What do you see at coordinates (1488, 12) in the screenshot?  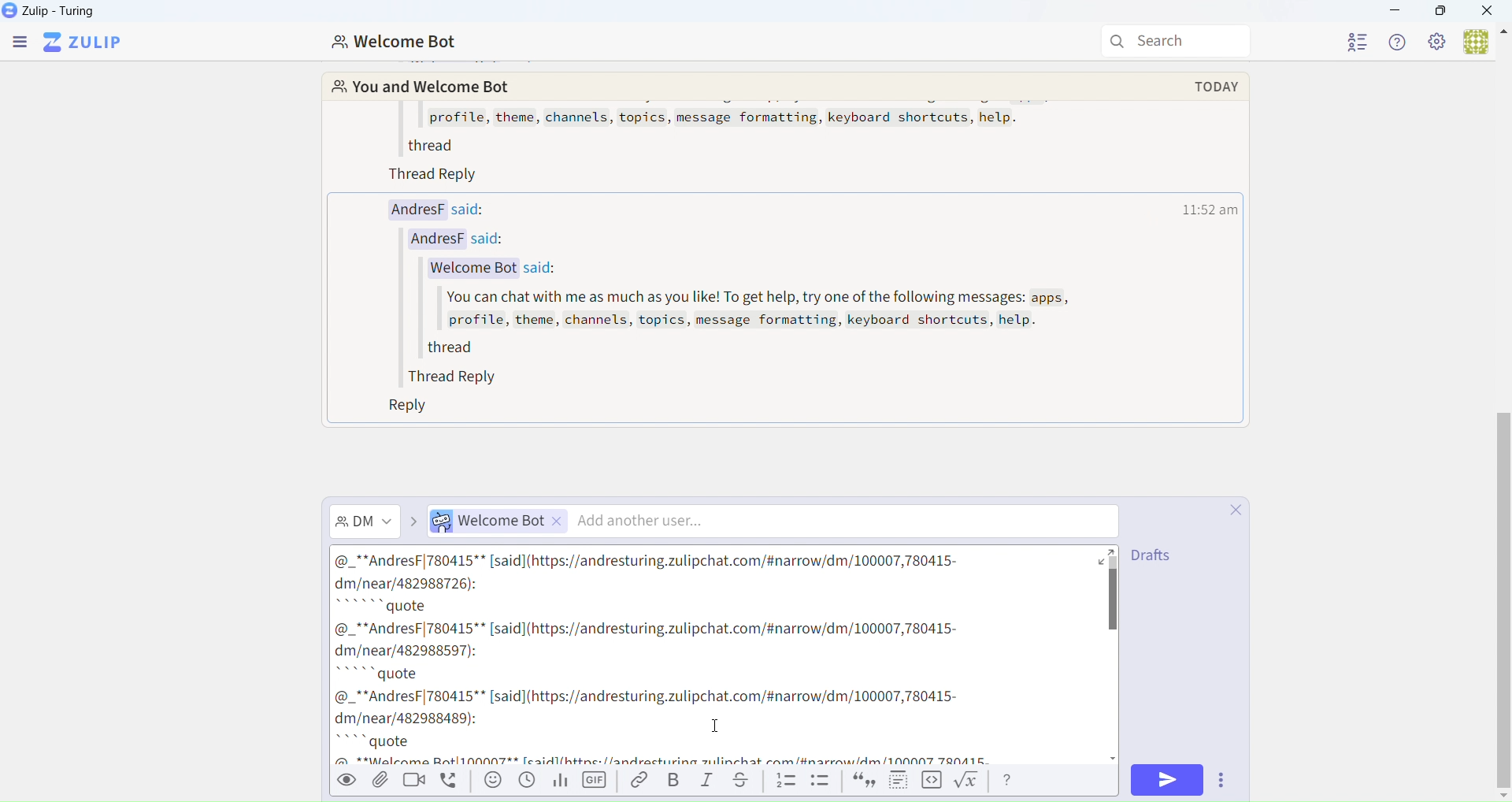 I see `Close` at bounding box center [1488, 12].